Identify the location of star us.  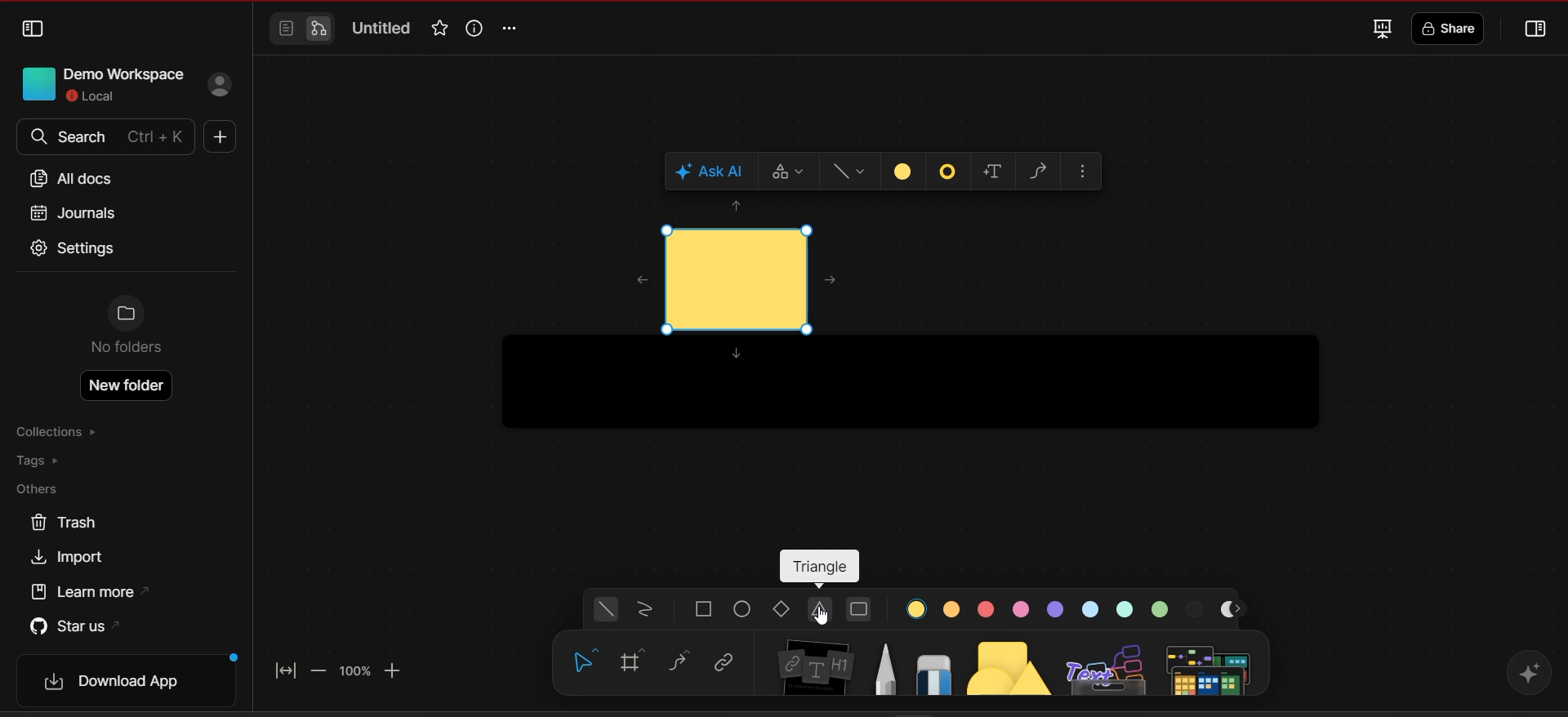
(73, 625).